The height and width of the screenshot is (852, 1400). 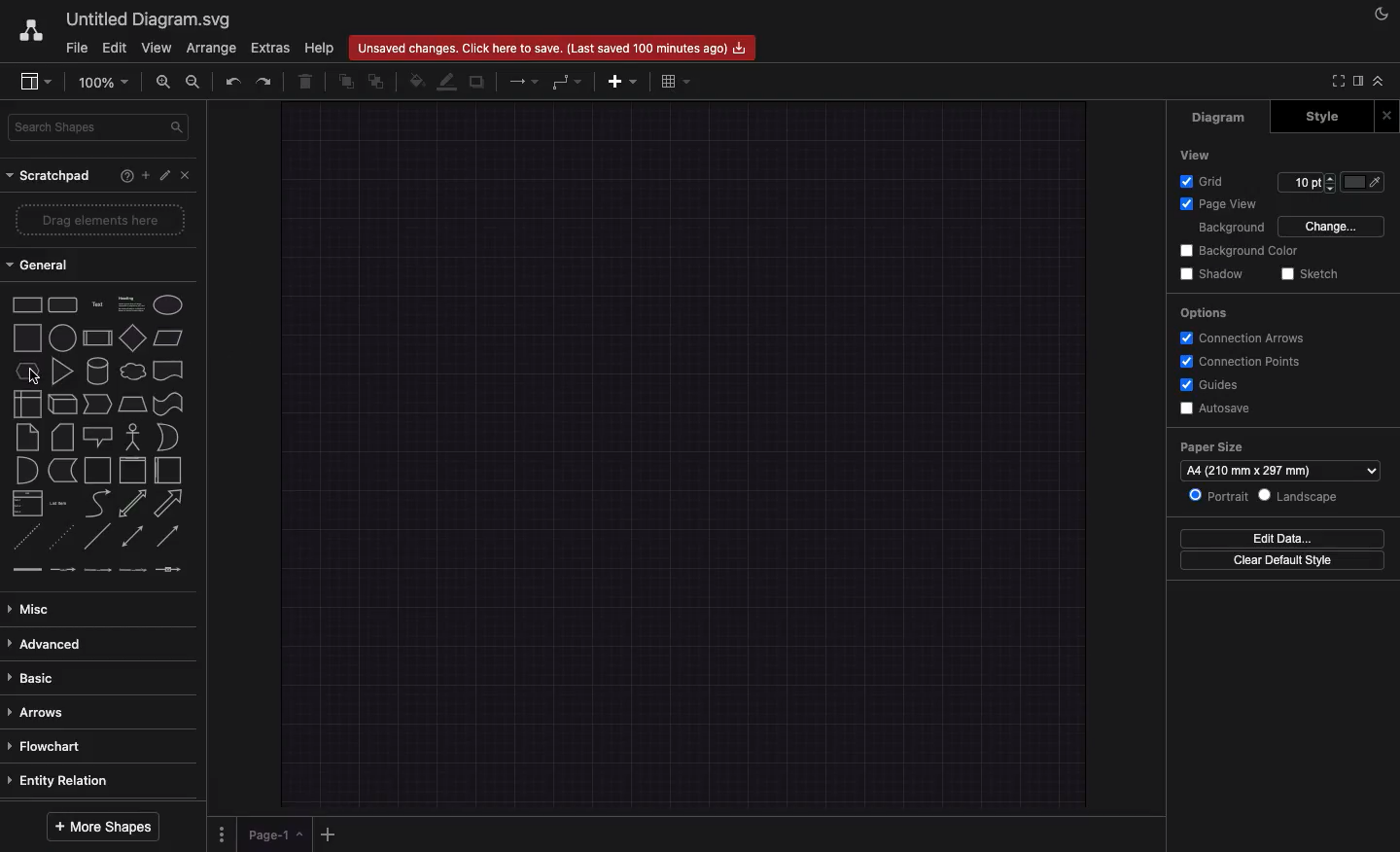 I want to click on View, so click(x=1199, y=154).